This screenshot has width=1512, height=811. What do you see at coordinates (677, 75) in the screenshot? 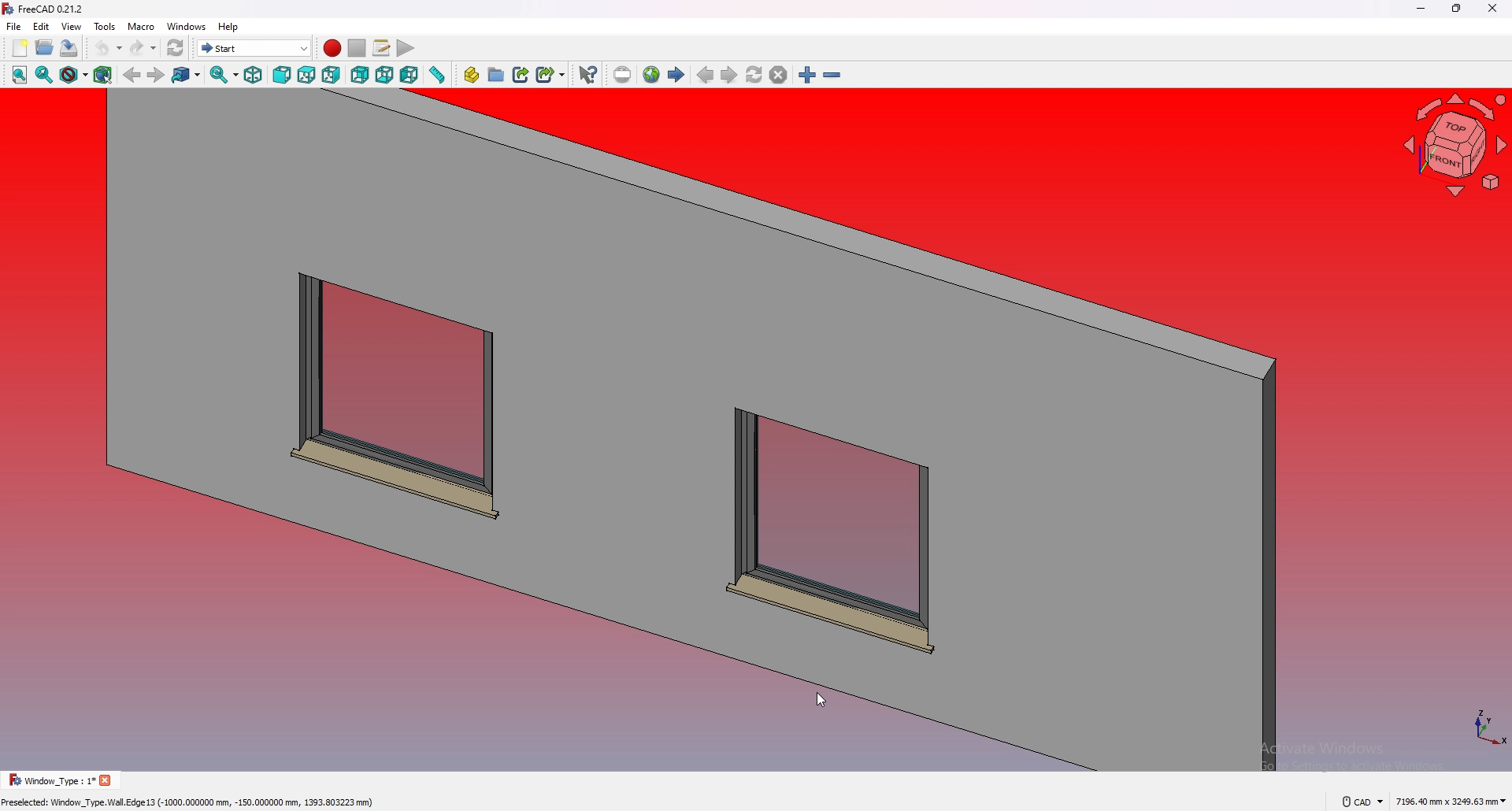
I see `start page` at bounding box center [677, 75].